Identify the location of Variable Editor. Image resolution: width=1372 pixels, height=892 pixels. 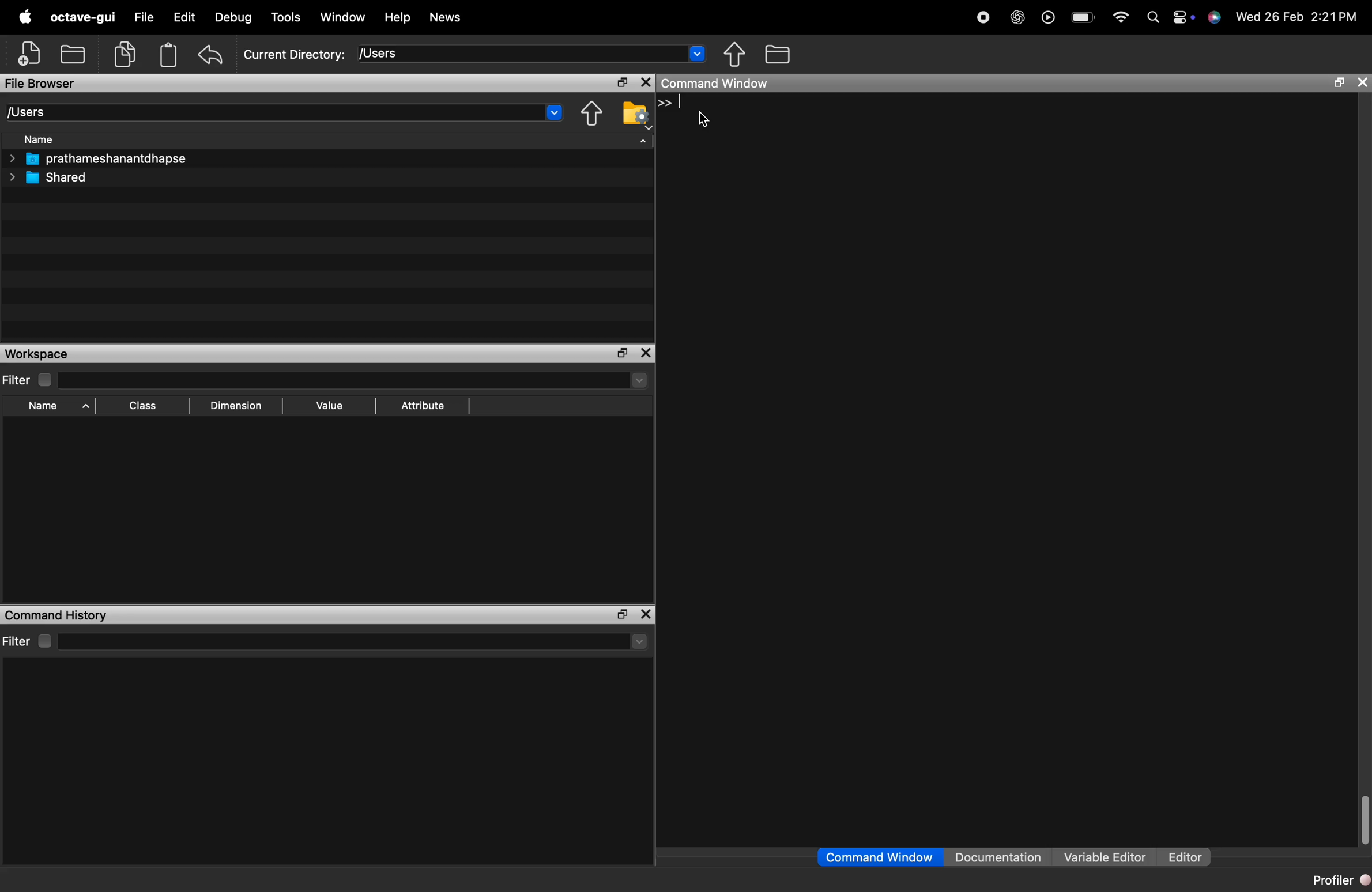
(1105, 857).